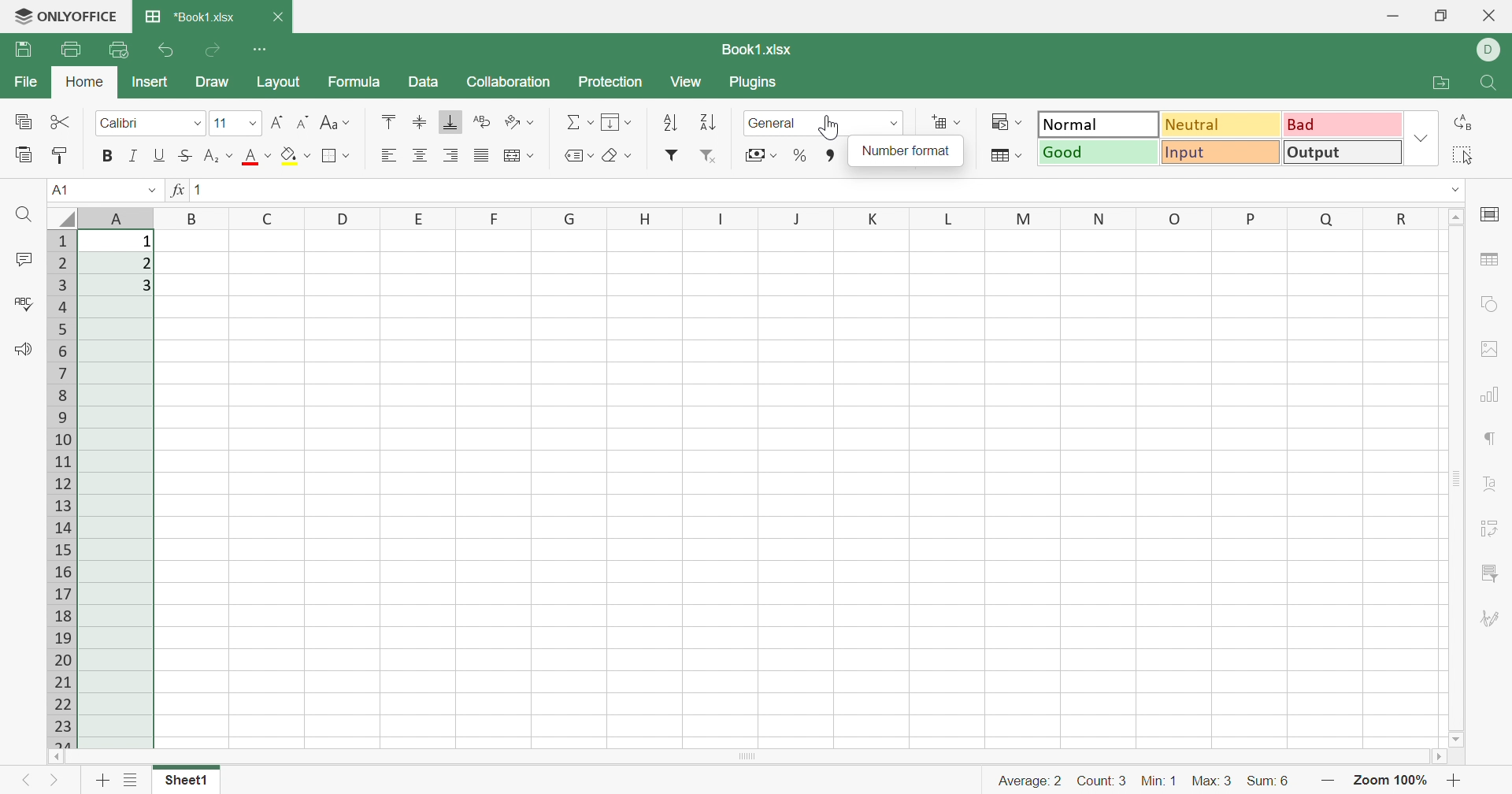 This screenshot has height=794, width=1512. What do you see at coordinates (102, 783) in the screenshot?
I see `Add sheet` at bounding box center [102, 783].